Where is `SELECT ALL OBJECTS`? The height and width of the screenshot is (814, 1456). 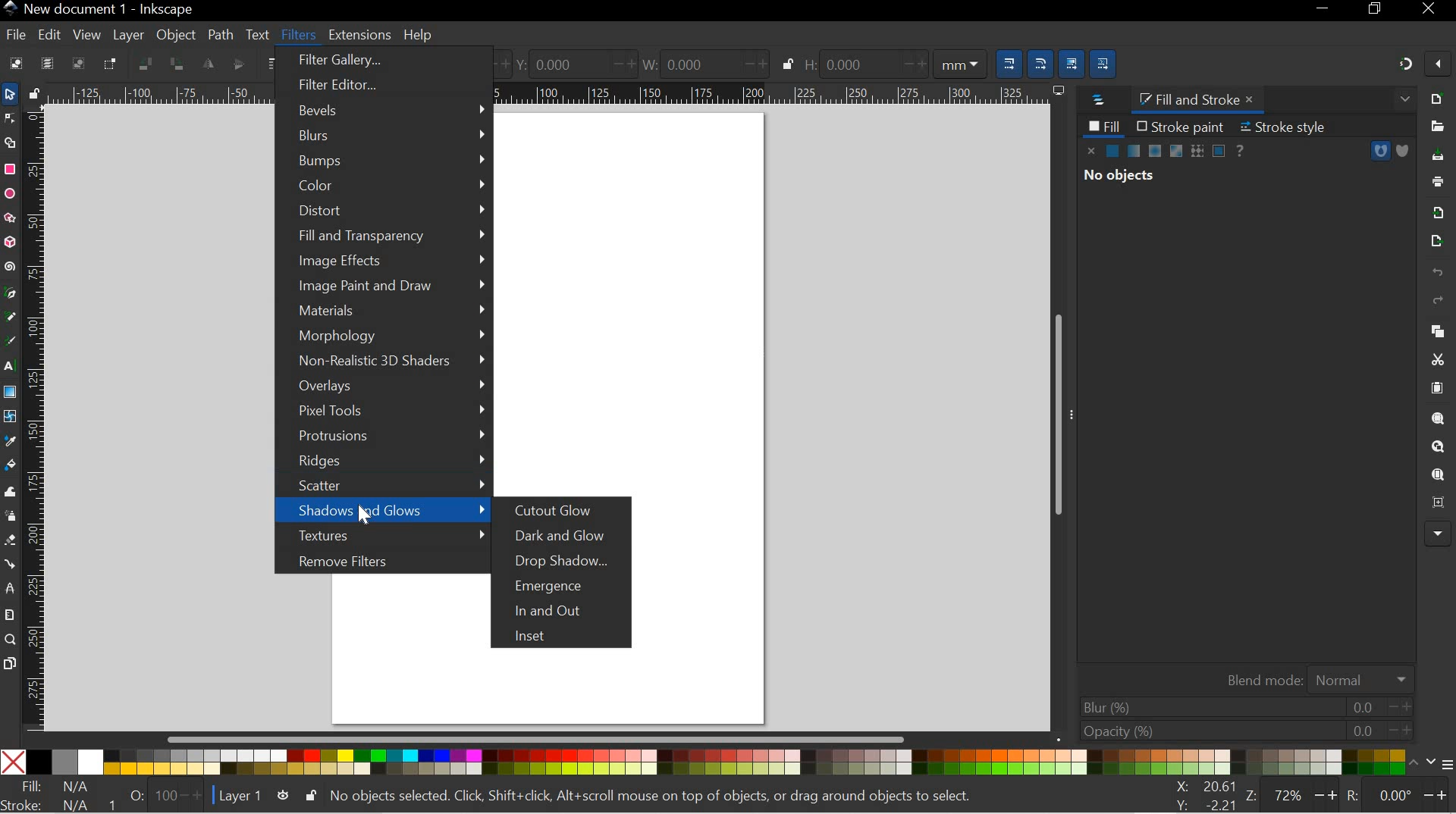 SELECT ALL OBJECTS is located at coordinates (14, 63).